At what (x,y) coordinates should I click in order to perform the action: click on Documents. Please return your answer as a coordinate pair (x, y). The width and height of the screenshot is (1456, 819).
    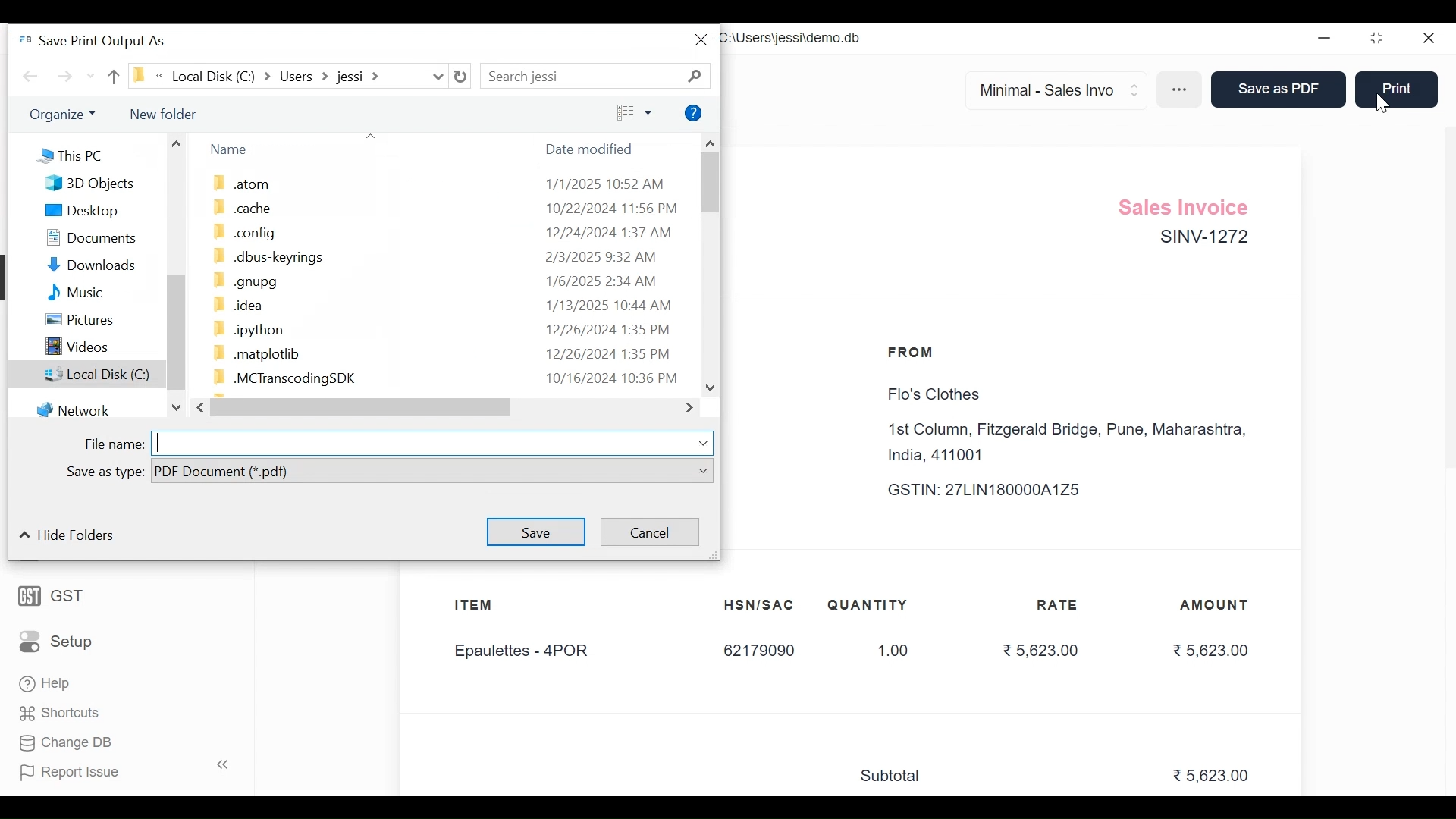
    Looking at the image, I should click on (82, 236).